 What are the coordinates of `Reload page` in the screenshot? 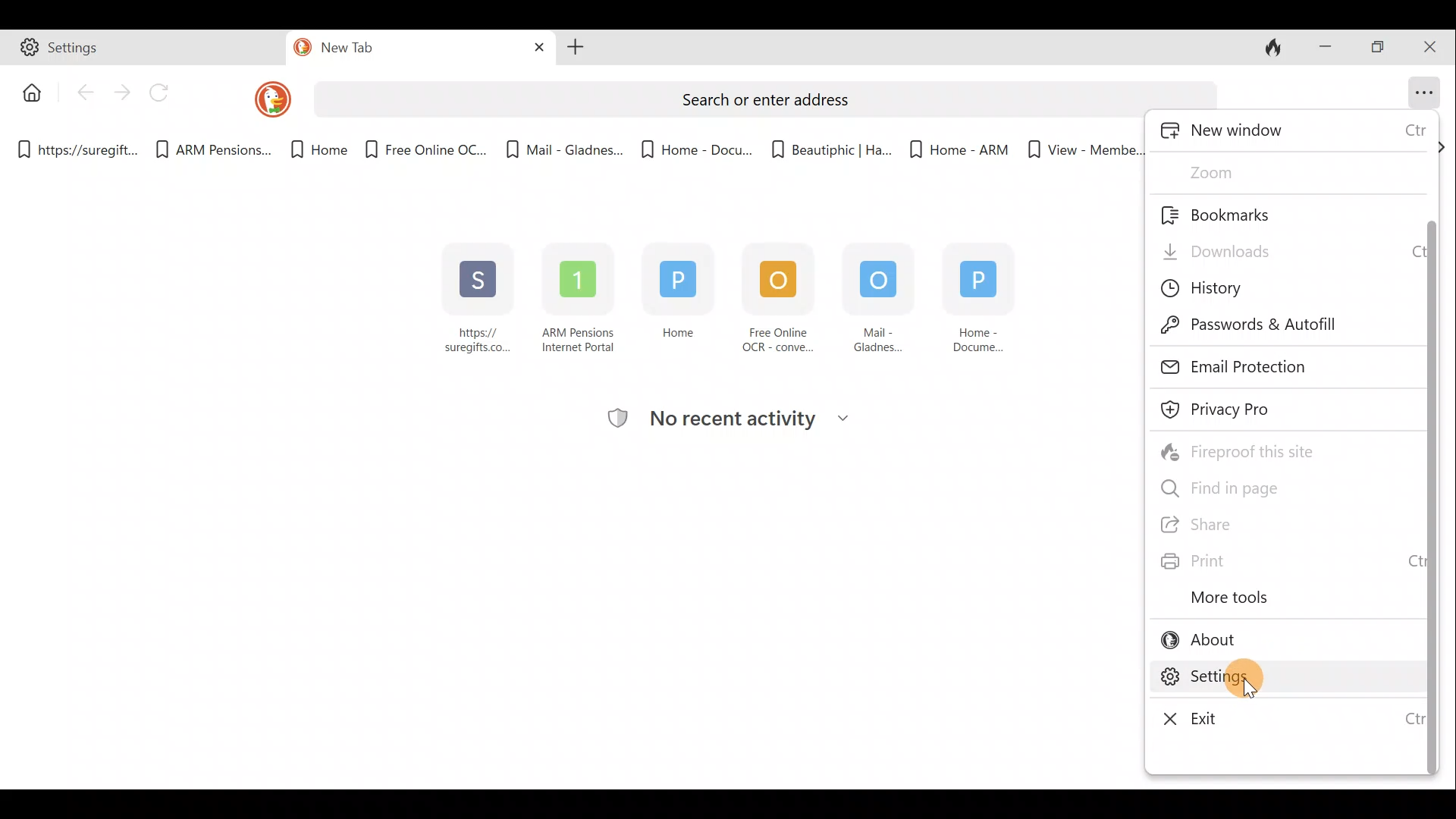 It's located at (162, 91).